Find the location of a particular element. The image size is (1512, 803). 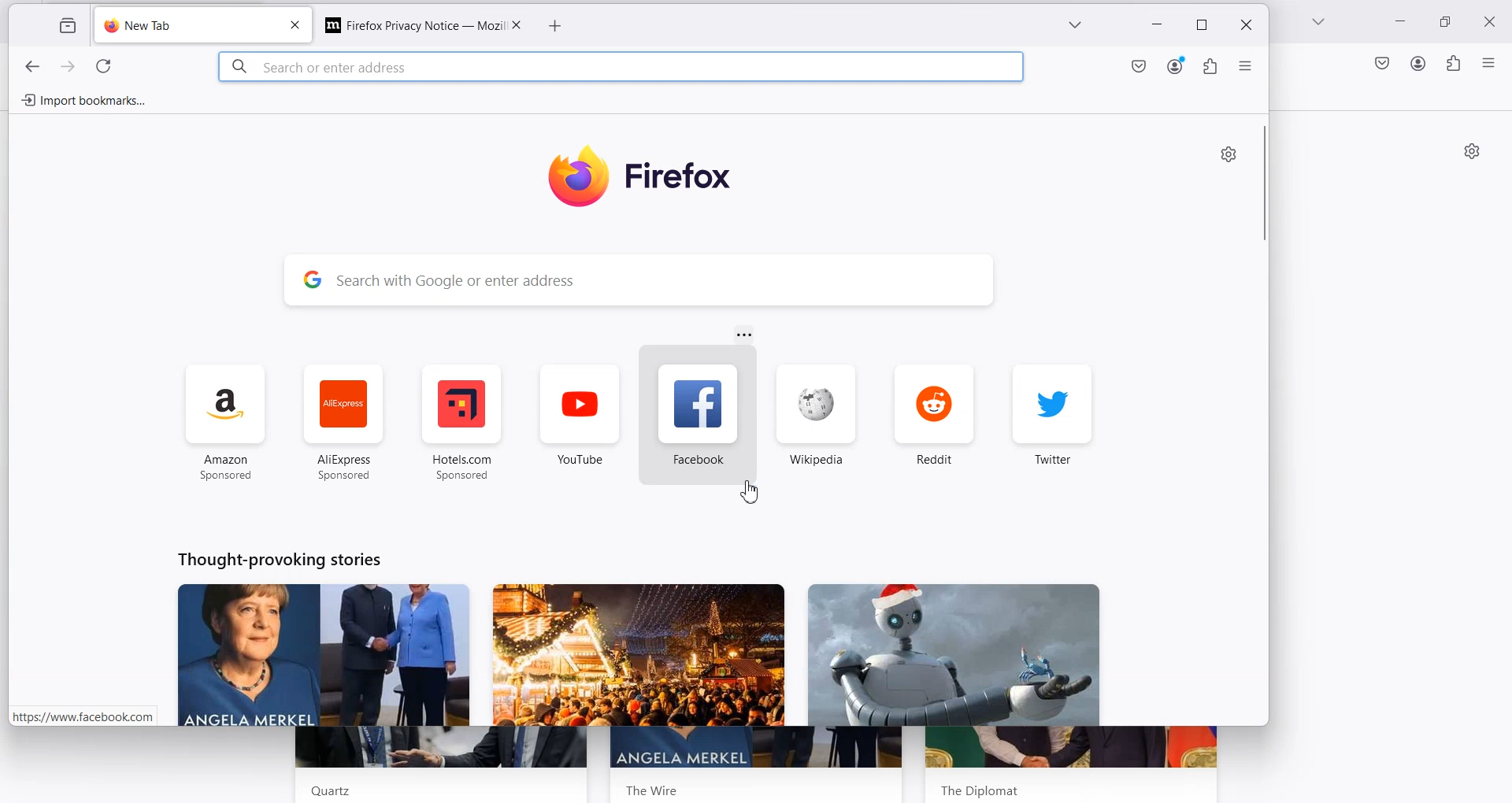

next page is located at coordinates (69, 68).